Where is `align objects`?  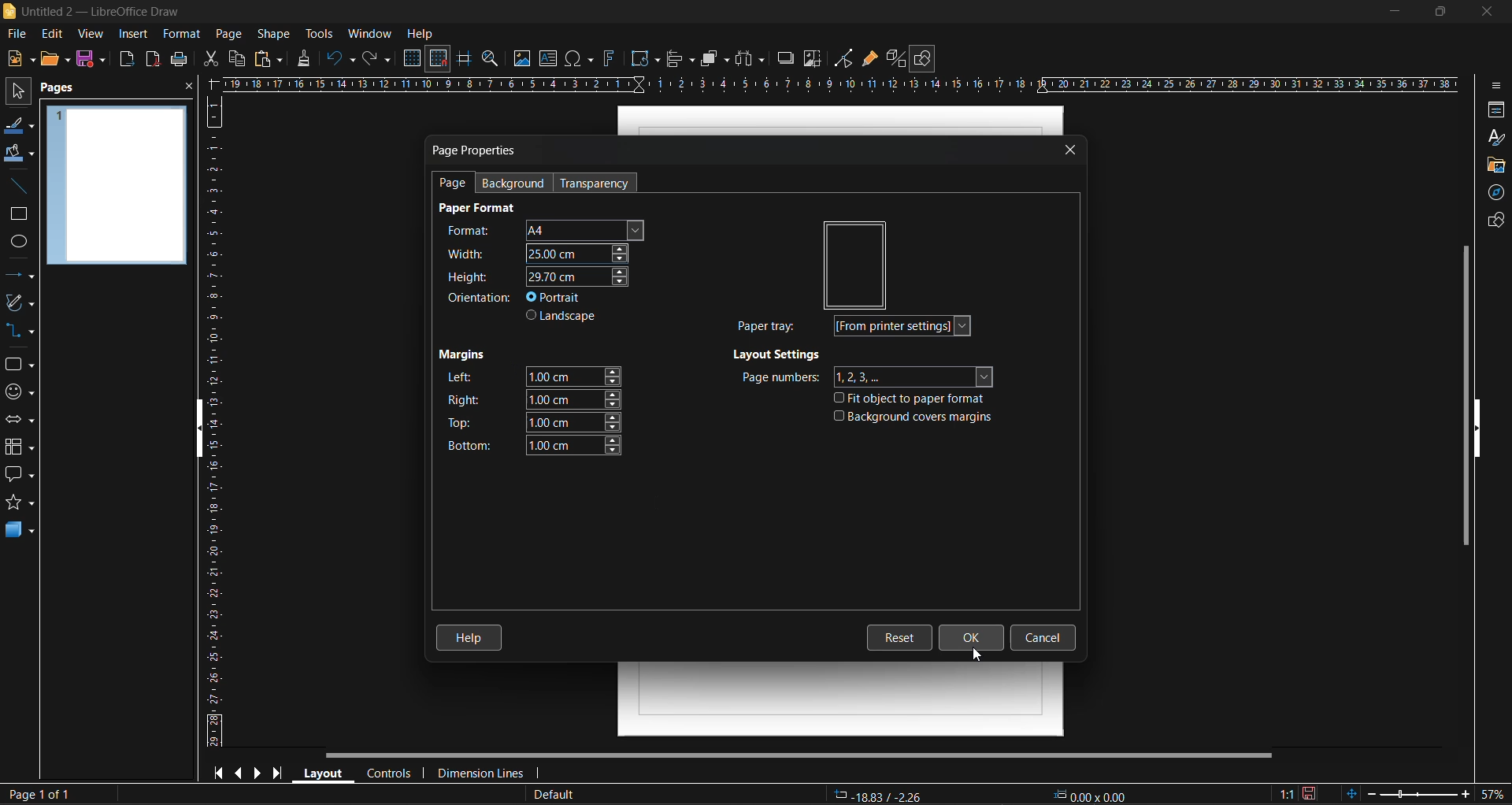 align objects is located at coordinates (681, 61).